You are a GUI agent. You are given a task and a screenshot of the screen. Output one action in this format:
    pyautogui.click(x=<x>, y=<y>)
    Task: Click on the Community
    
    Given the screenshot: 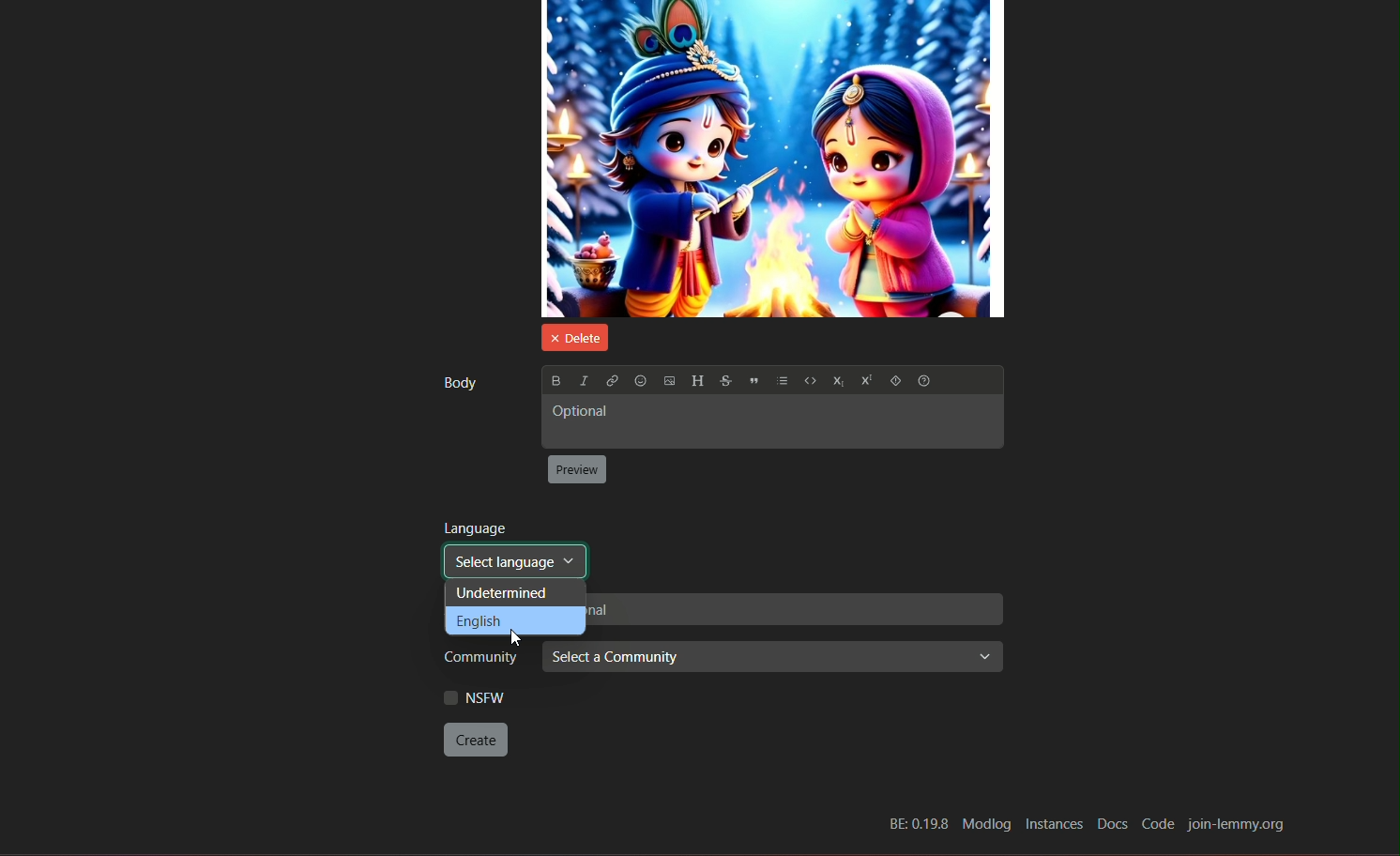 What is the action you would take?
    pyautogui.click(x=474, y=659)
    